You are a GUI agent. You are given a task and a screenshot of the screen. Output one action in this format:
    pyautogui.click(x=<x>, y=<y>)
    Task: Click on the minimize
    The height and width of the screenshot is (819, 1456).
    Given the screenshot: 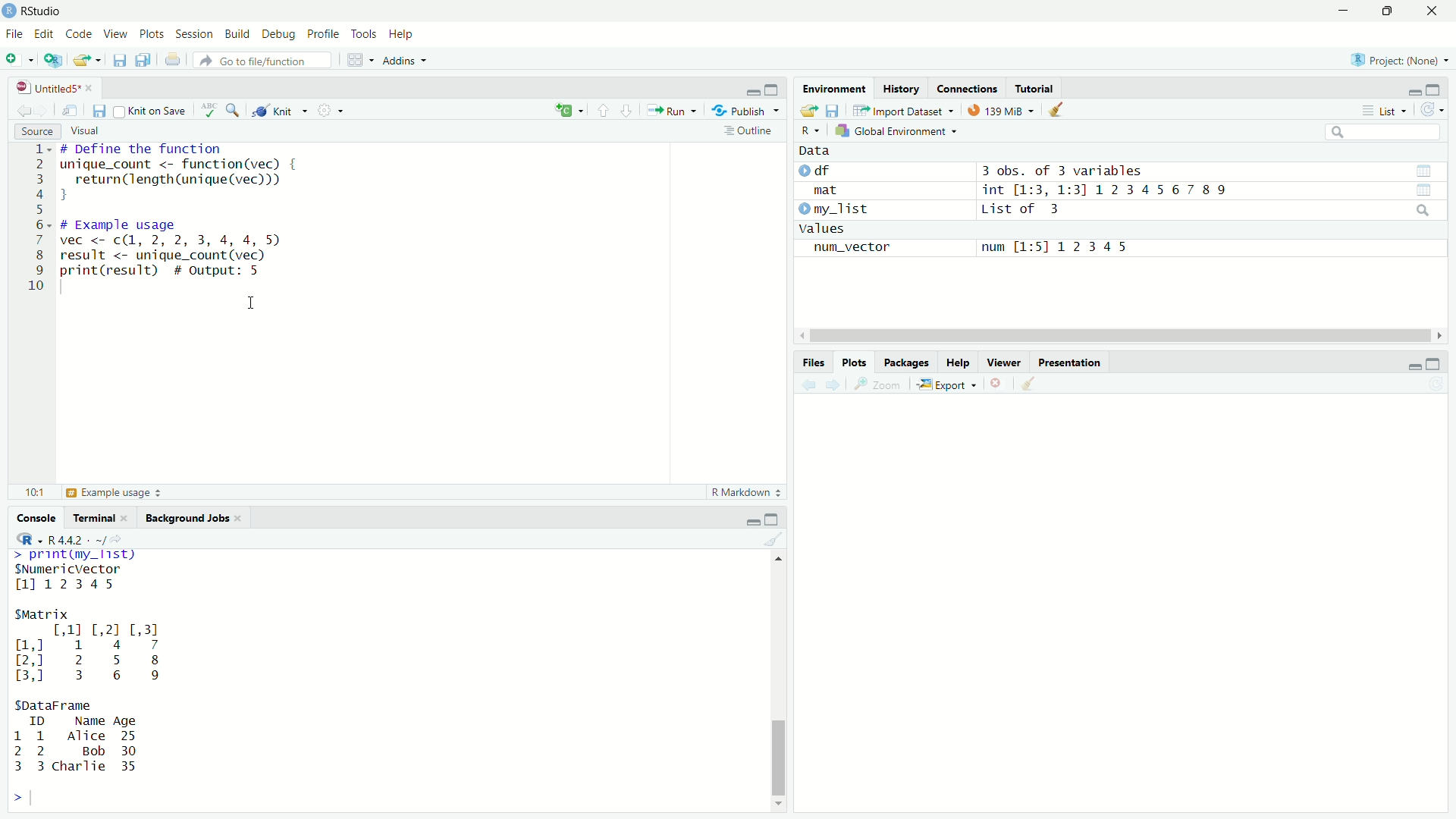 What is the action you would take?
    pyautogui.click(x=1414, y=93)
    